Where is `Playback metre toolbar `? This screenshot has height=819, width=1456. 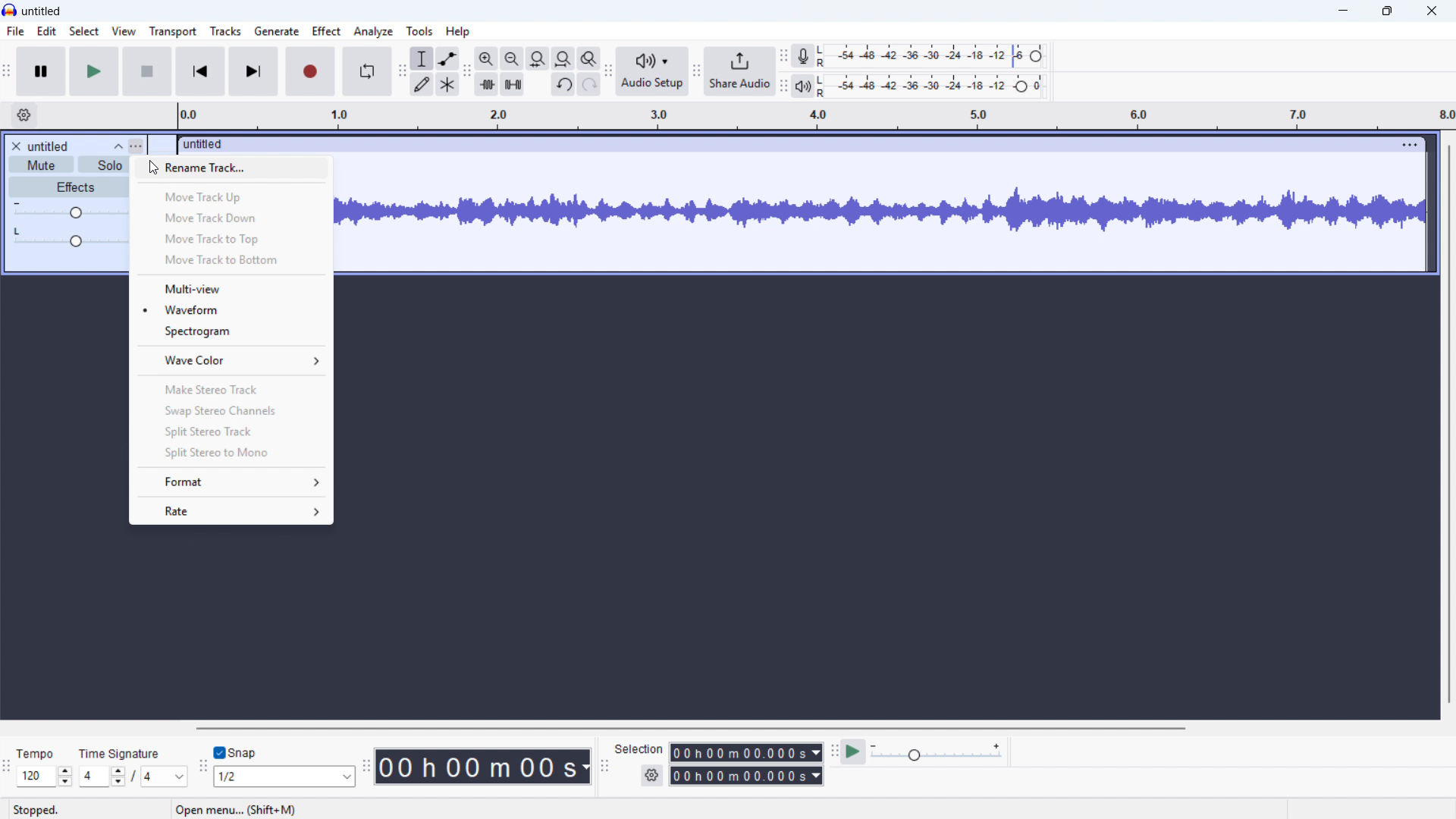
Playback metre toolbar  is located at coordinates (784, 87).